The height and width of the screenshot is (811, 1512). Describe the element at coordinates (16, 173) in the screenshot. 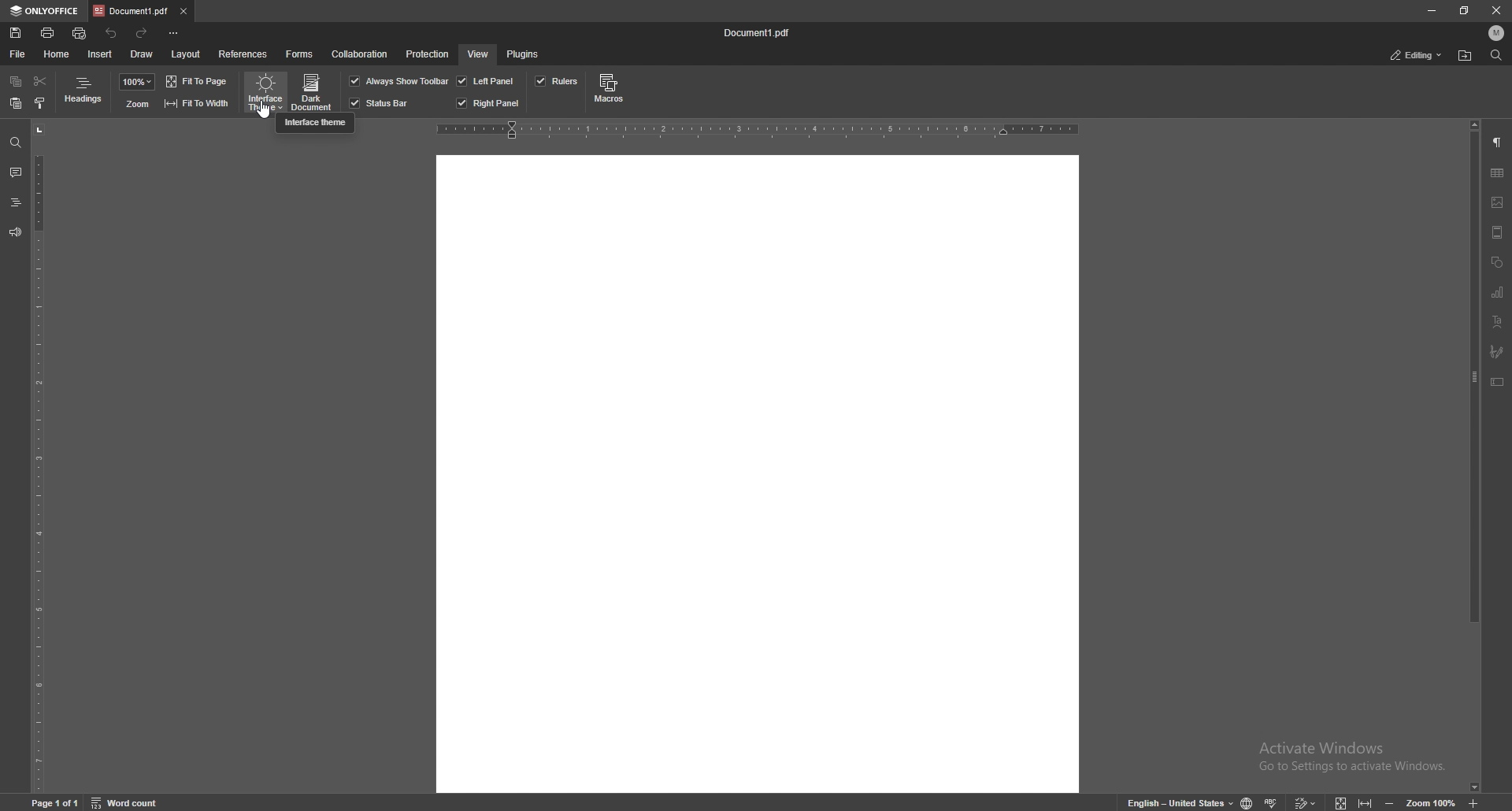

I see `comment` at that location.